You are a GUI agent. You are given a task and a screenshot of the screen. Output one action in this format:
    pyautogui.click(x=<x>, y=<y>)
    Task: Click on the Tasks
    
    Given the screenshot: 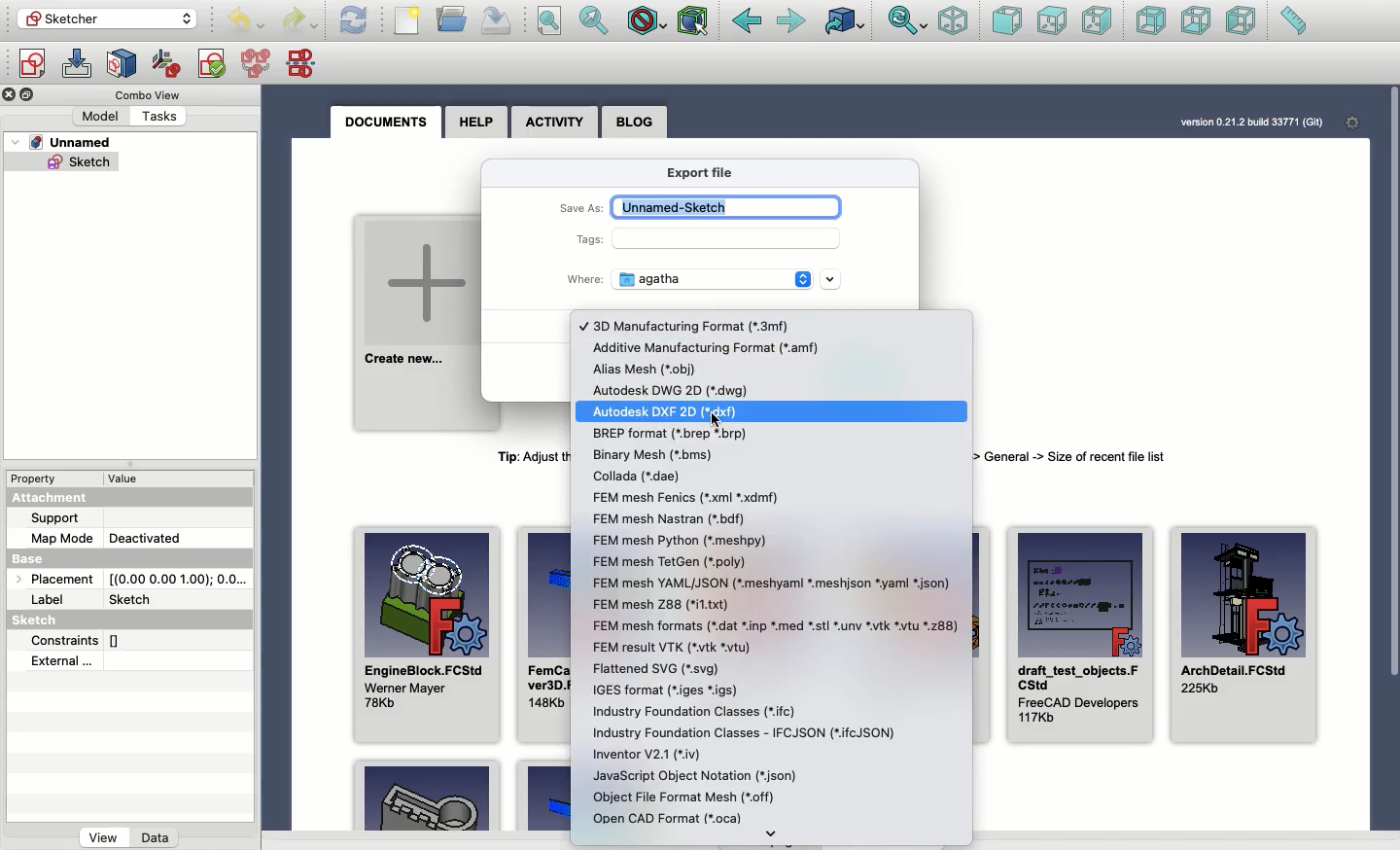 What is the action you would take?
    pyautogui.click(x=161, y=116)
    